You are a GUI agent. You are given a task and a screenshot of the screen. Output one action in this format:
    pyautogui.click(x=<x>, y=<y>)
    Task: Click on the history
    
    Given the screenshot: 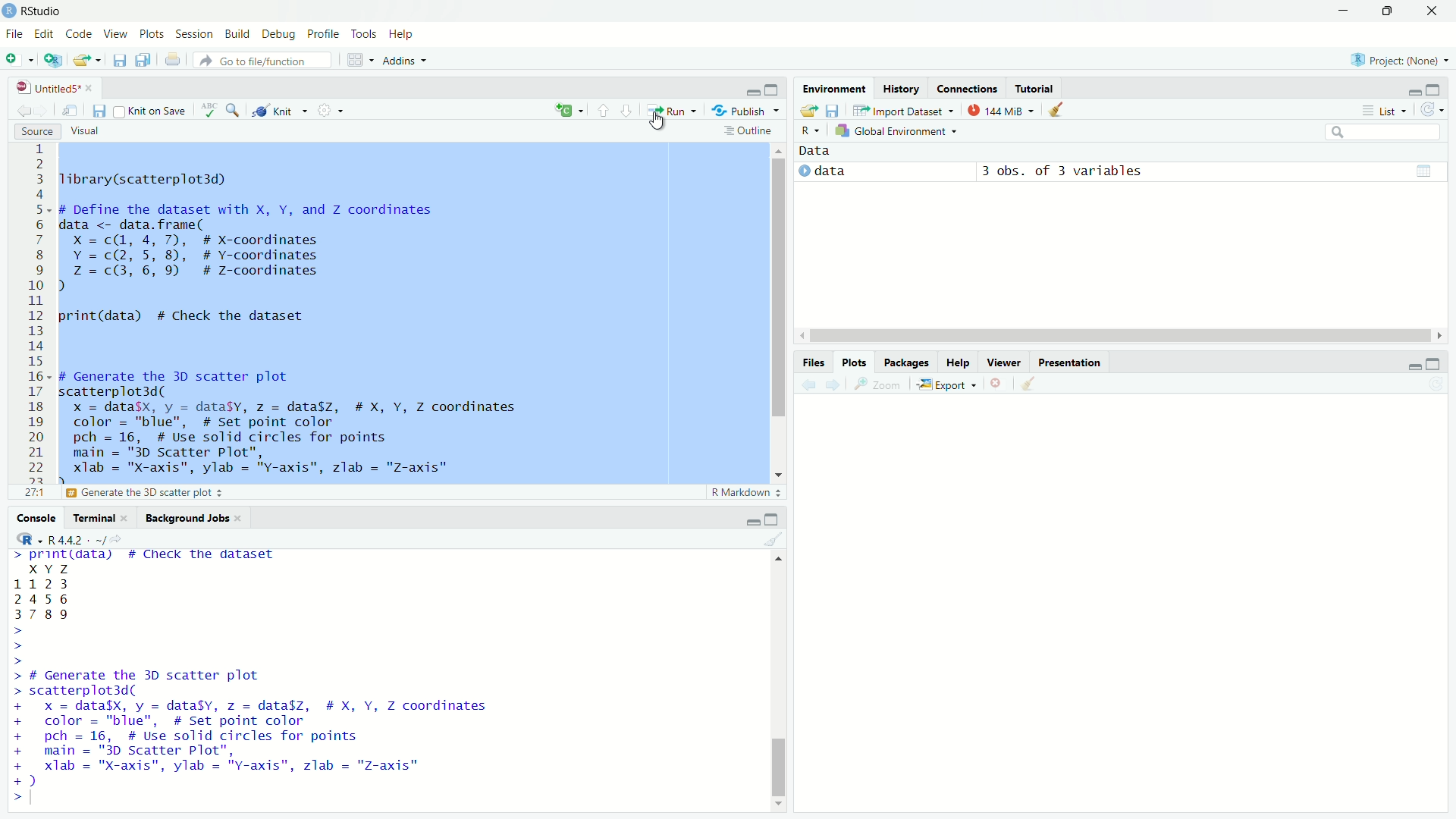 What is the action you would take?
    pyautogui.click(x=903, y=88)
    